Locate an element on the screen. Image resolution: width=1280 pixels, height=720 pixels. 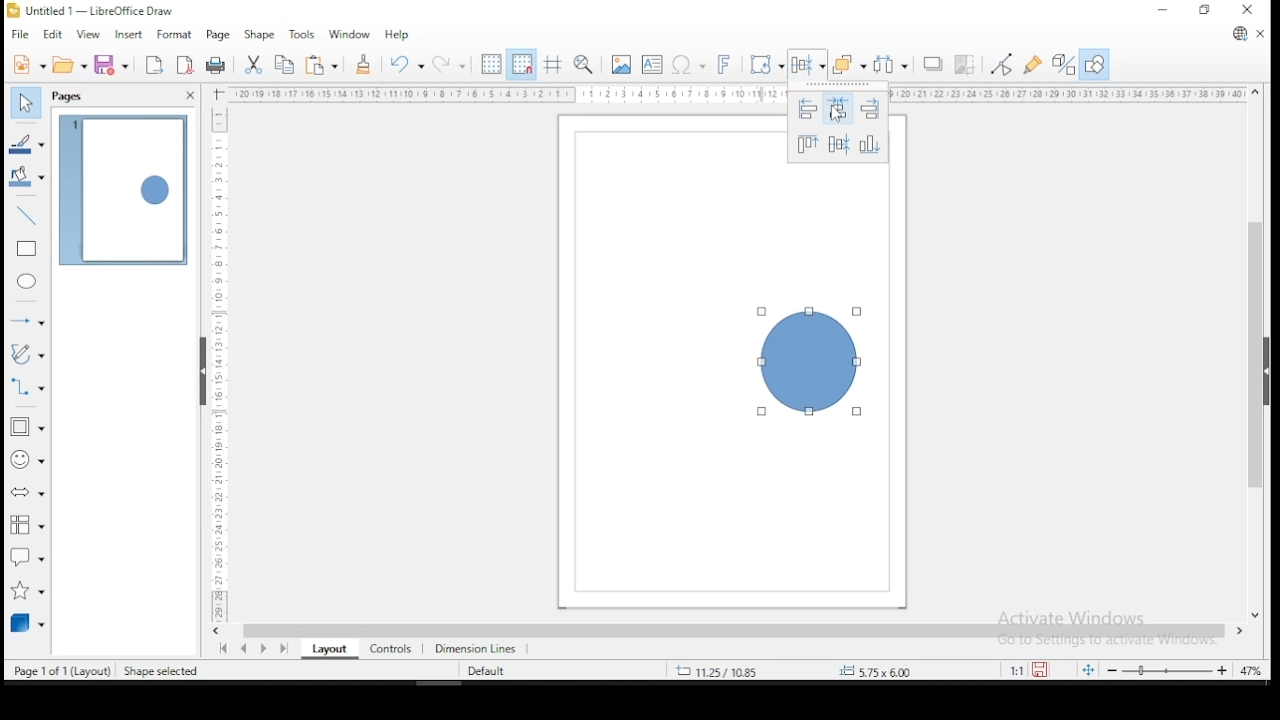
controls is located at coordinates (388, 647).